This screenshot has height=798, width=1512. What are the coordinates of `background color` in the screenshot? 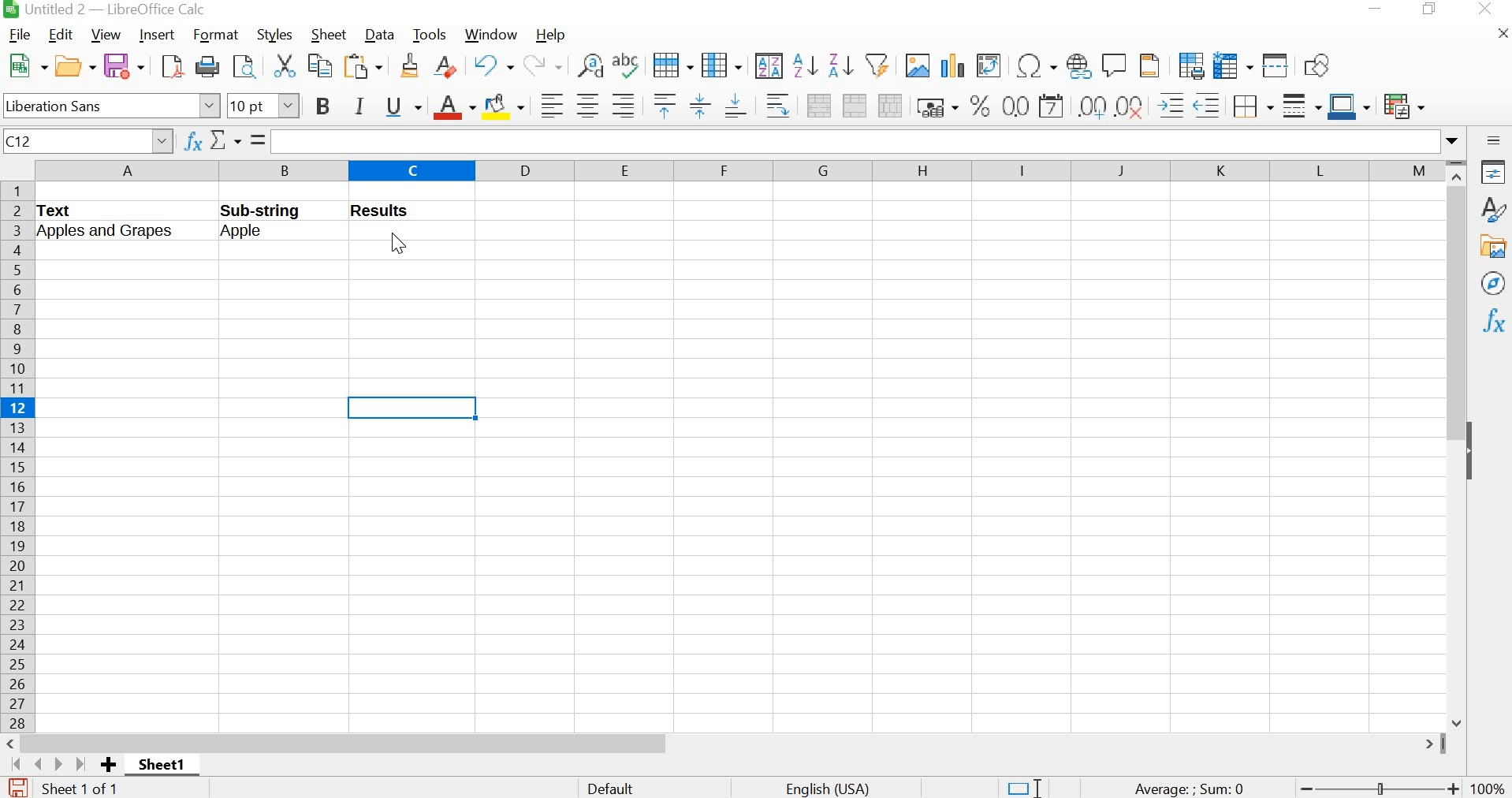 It's located at (505, 106).